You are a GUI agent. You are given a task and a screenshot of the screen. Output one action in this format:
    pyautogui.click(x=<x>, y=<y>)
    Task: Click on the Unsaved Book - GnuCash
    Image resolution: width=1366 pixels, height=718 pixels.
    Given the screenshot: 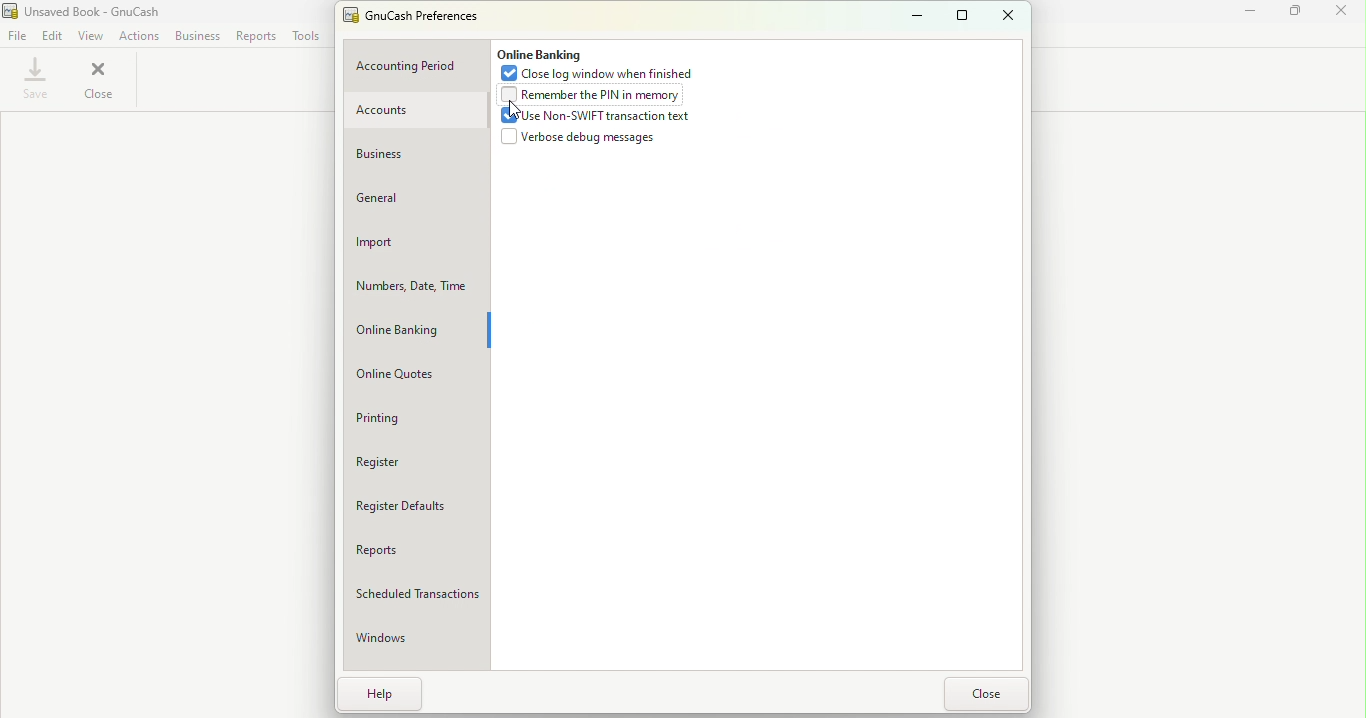 What is the action you would take?
    pyautogui.click(x=90, y=11)
    